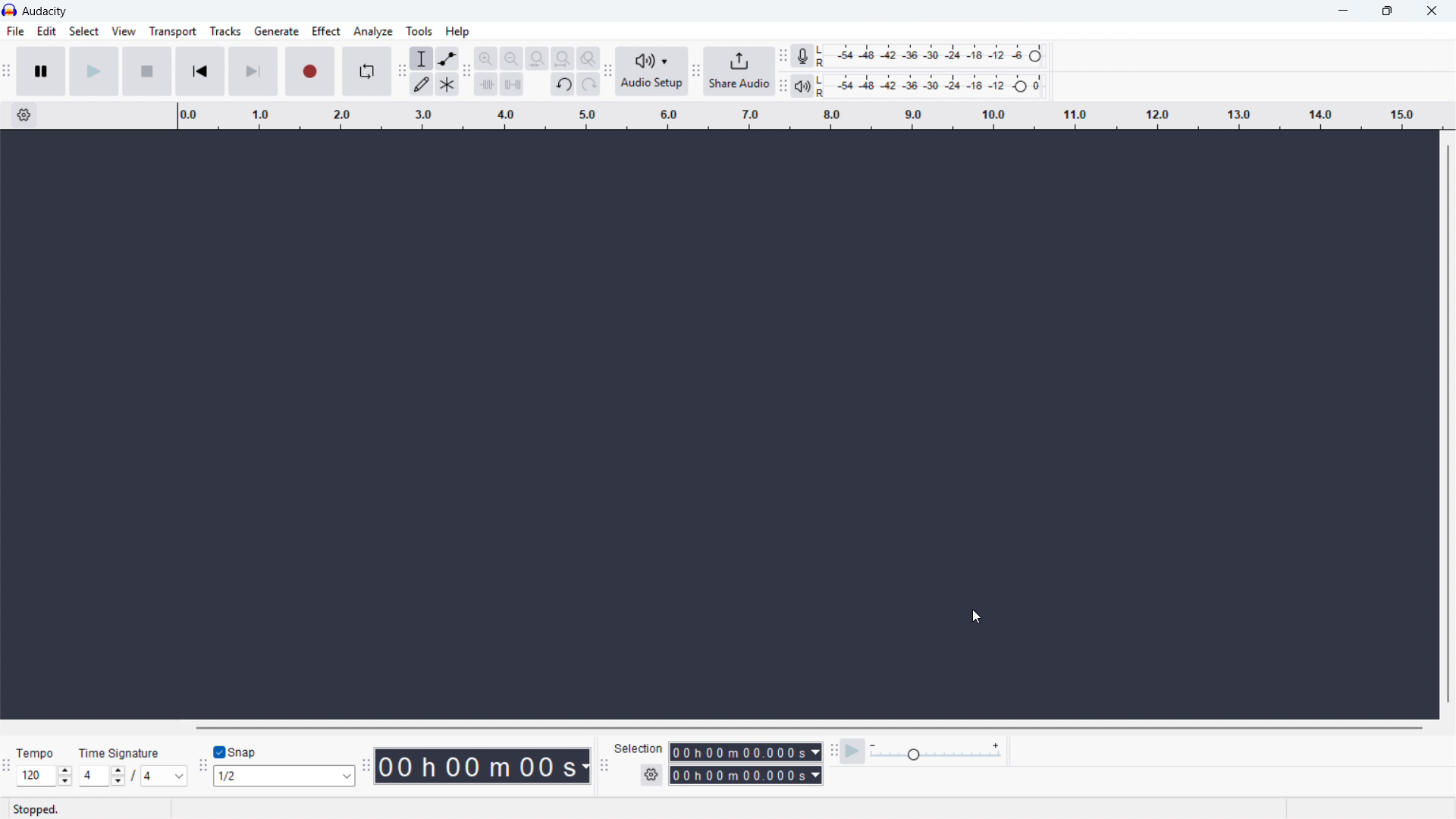 This screenshot has width=1456, height=819. I want to click on fit selection to width, so click(537, 58).